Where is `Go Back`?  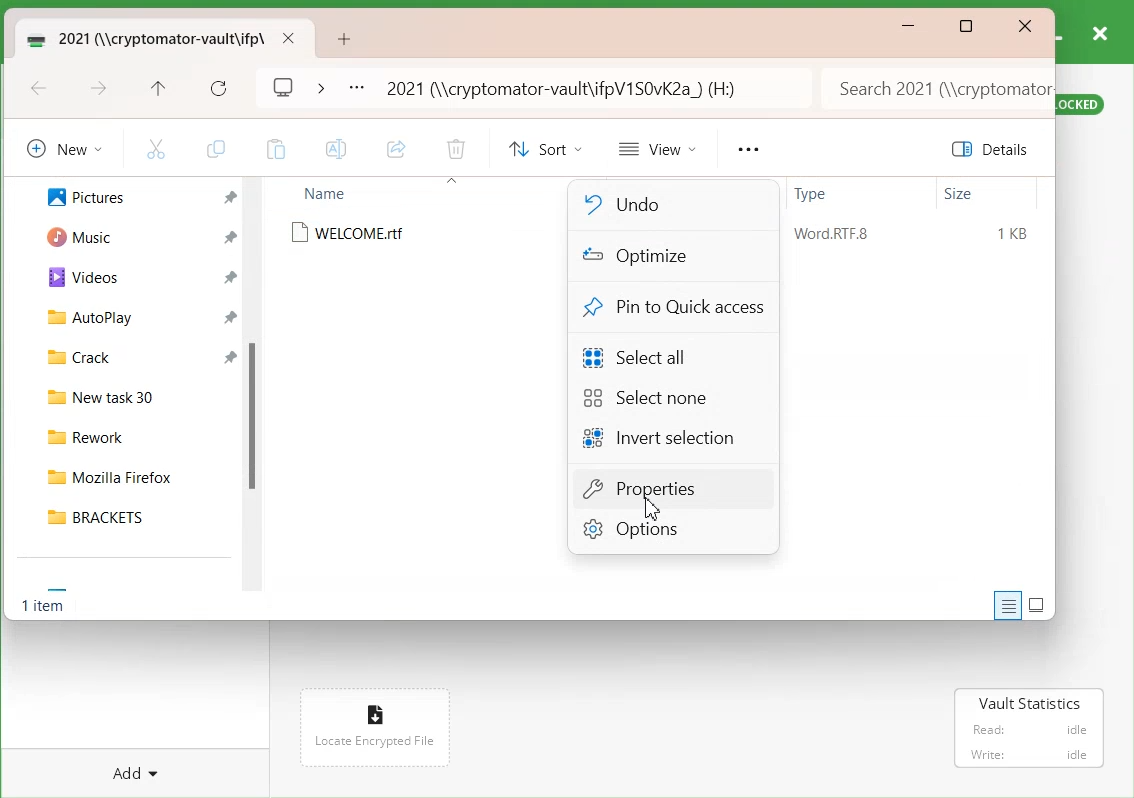
Go Back is located at coordinates (39, 90).